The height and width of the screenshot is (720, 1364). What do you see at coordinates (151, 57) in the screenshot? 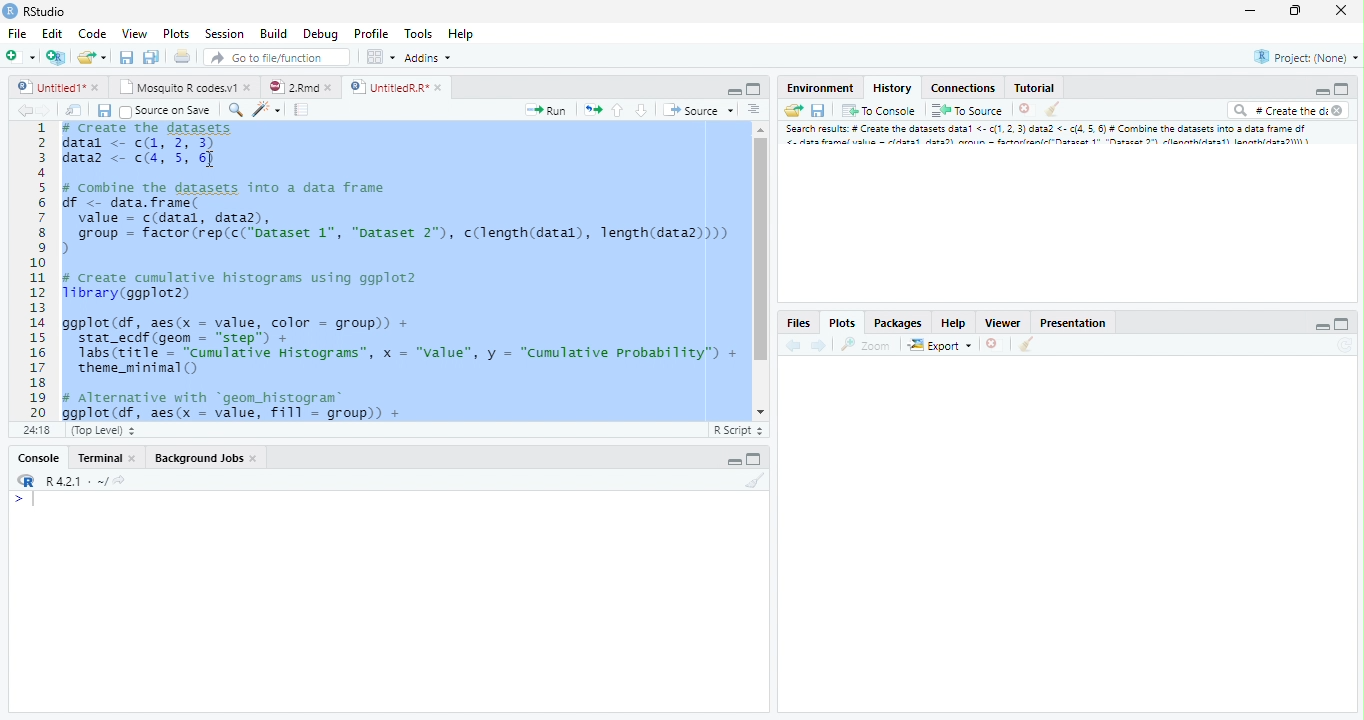
I see `Save all` at bounding box center [151, 57].